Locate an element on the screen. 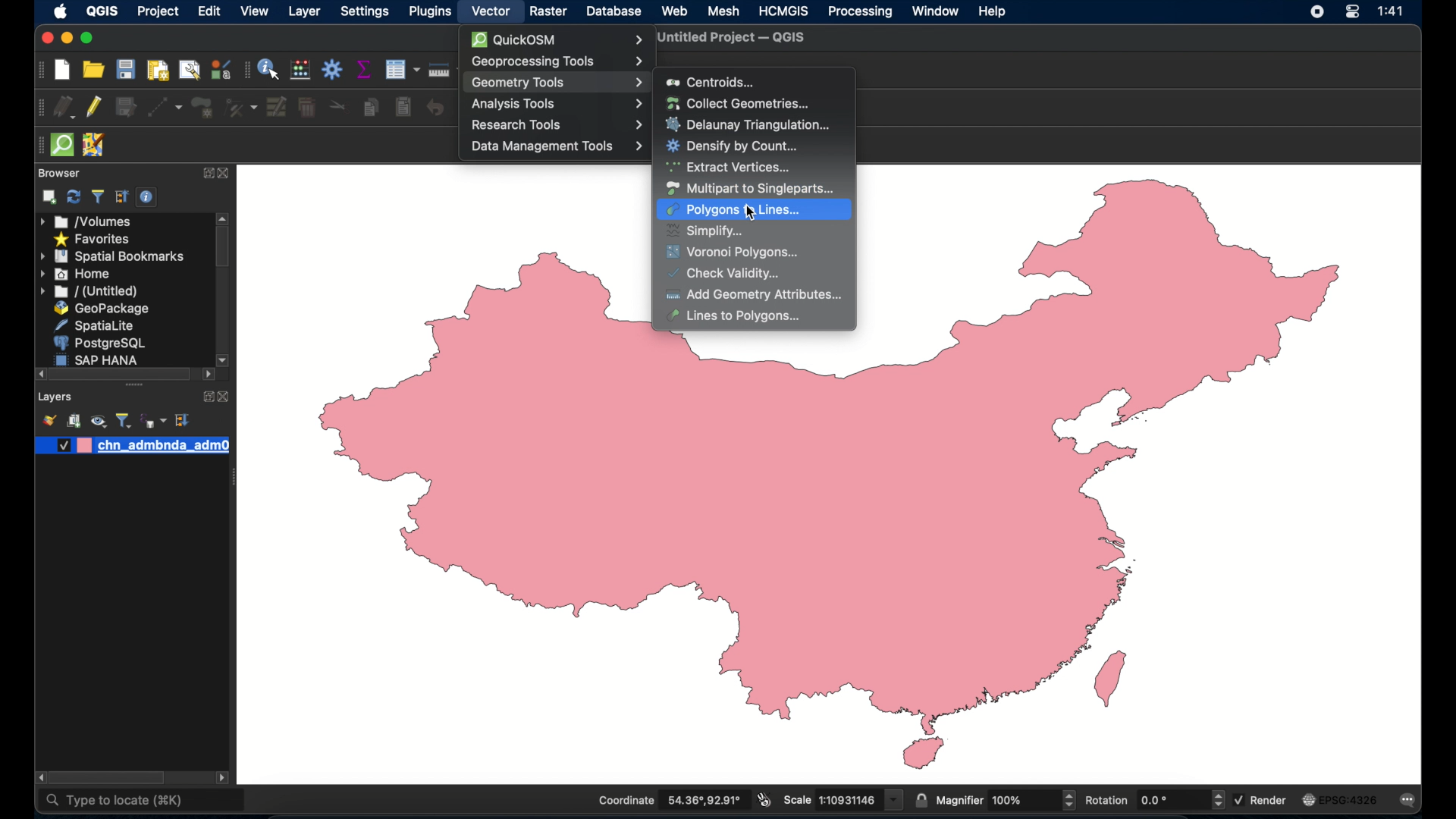  edit is located at coordinates (206, 11).